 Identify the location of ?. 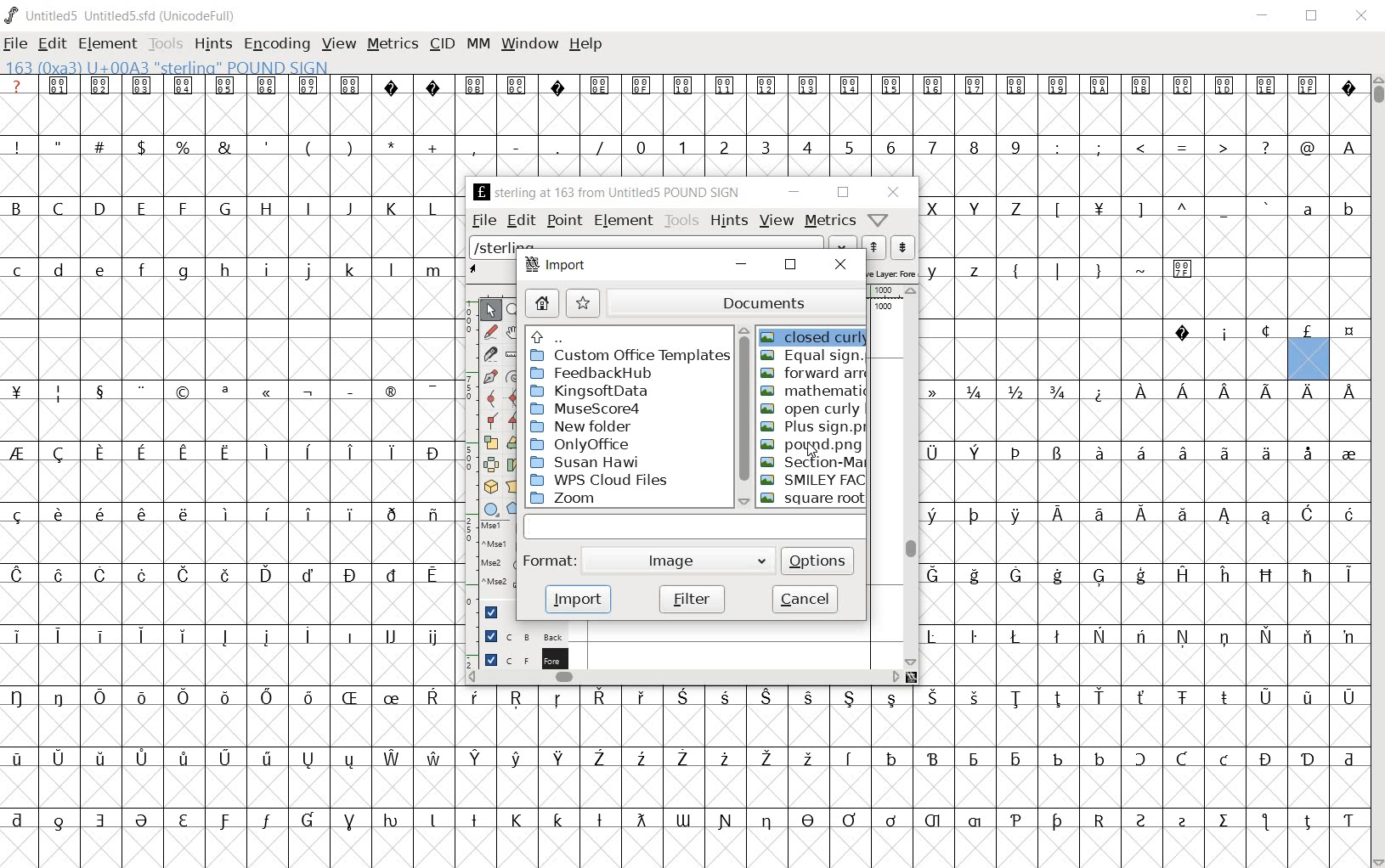
(18, 85).